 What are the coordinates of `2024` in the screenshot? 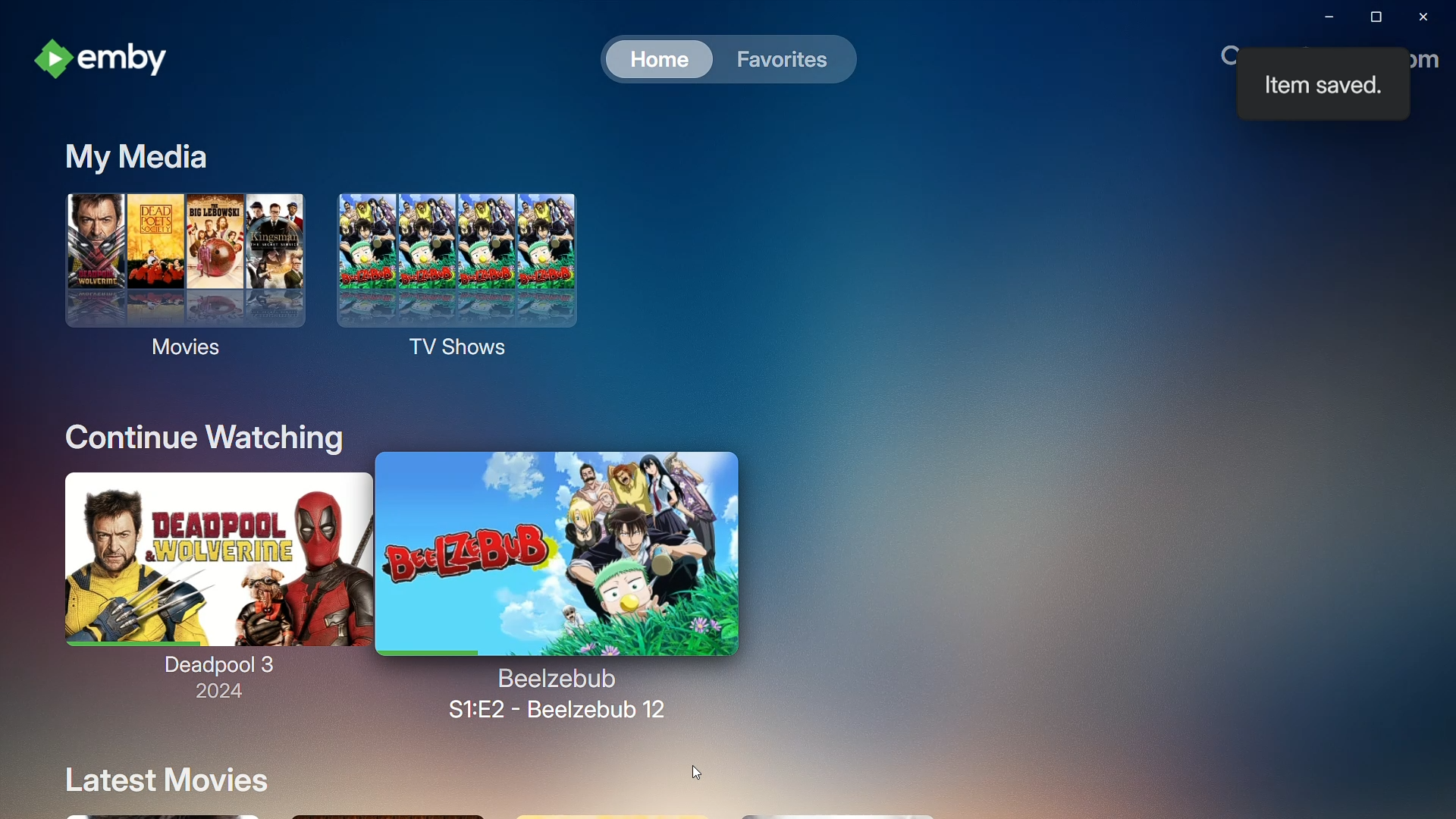 It's located at (210, 694).